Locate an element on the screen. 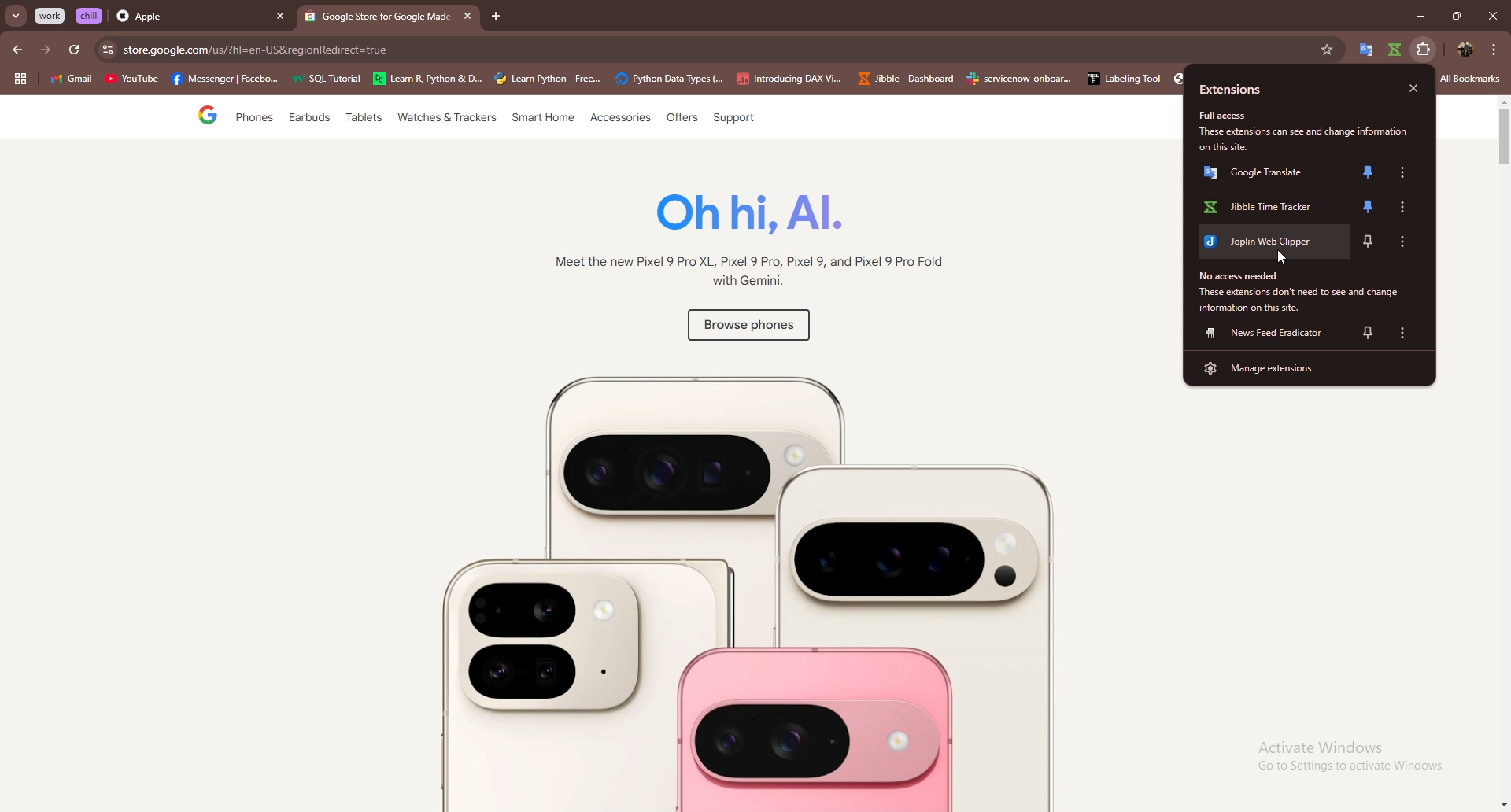 The height and width of the screenshot is (812, 1511). Phones is located at coordinates (250, 119).